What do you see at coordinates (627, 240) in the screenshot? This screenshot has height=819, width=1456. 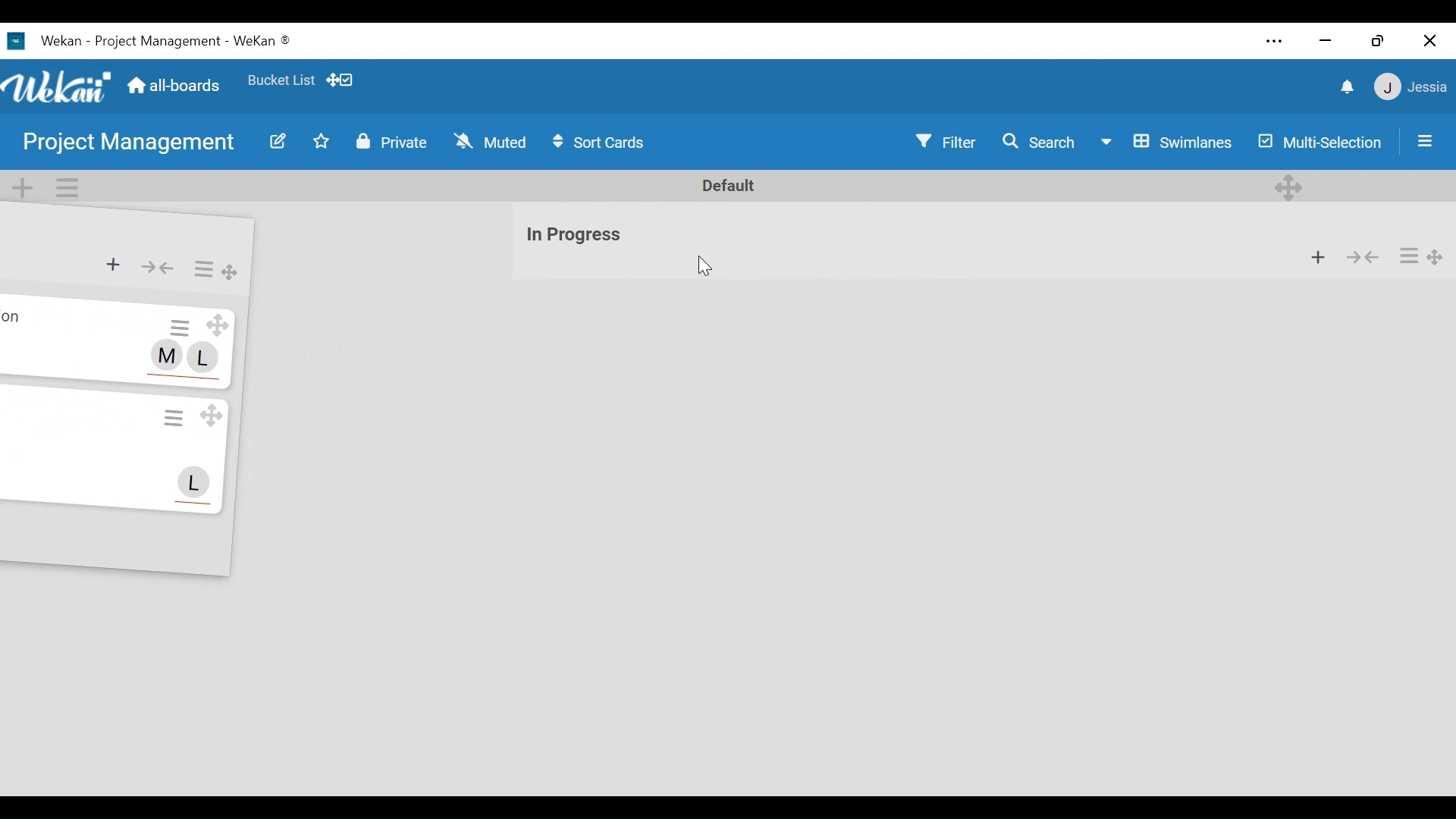 I see `list` at bounding box center [627, 240].